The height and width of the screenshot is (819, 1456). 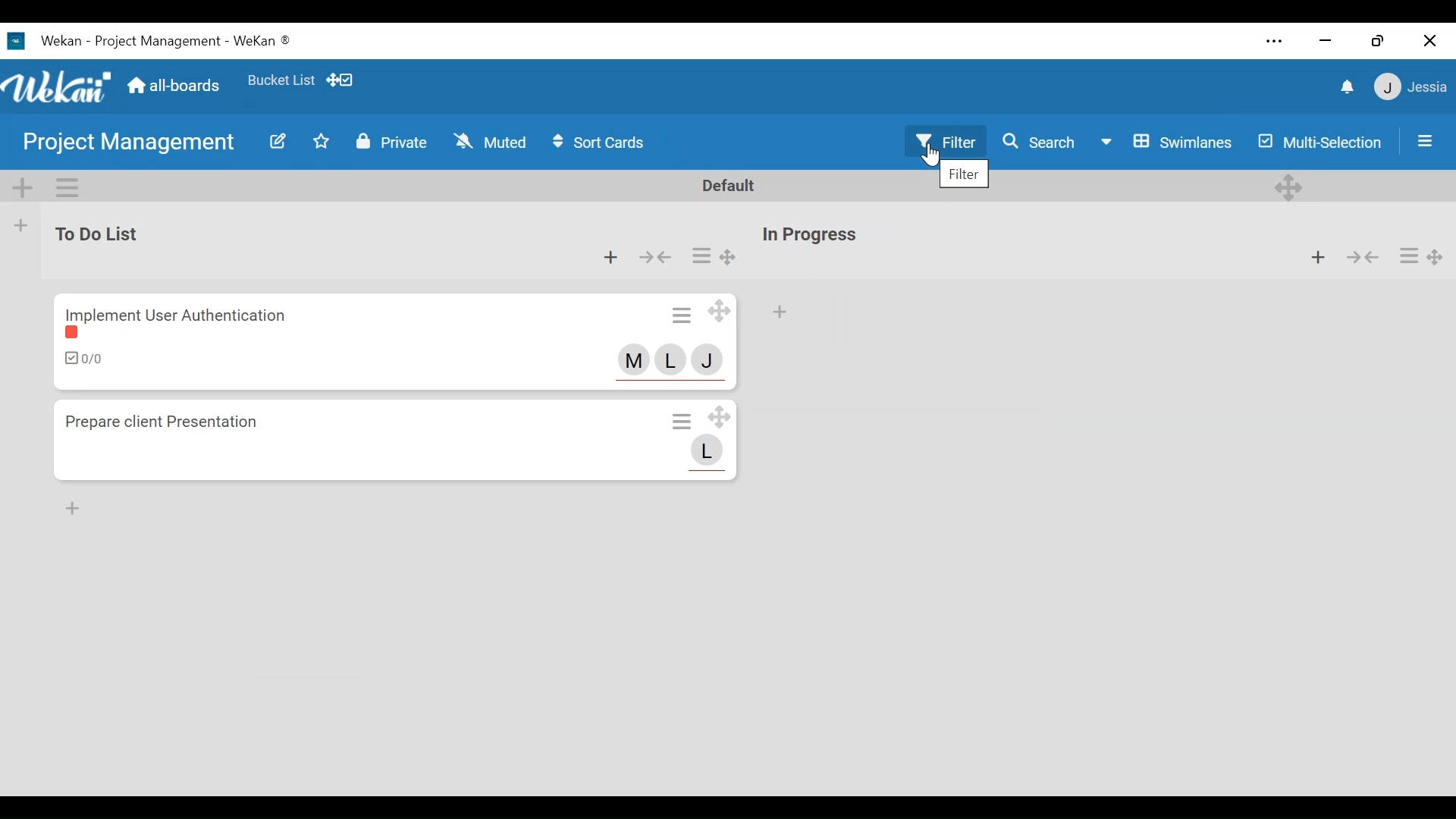 I want to click on Add Card Bottom of the list, so click(x=69, y=510).